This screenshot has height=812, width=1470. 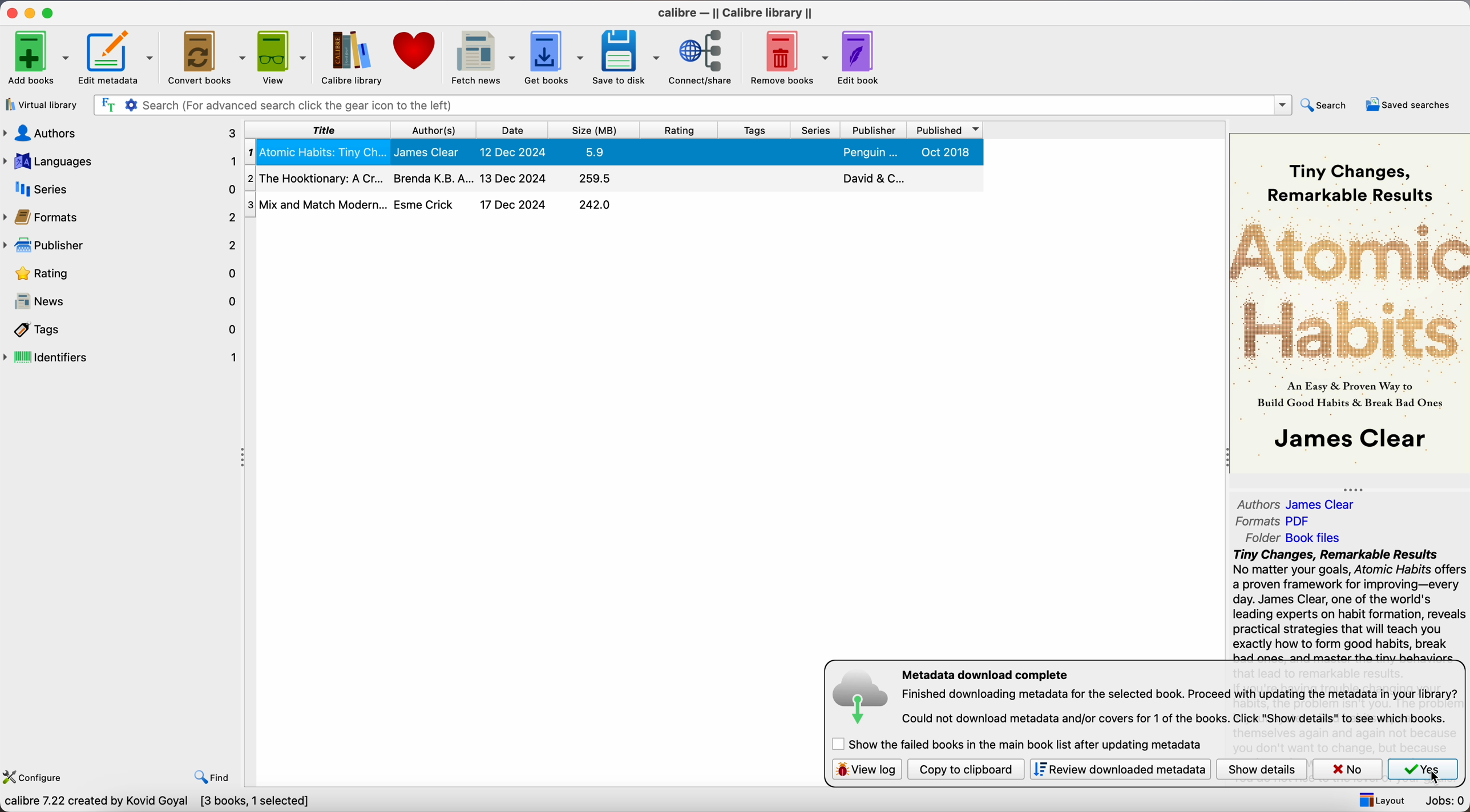 I want to click on saved searches, so click(x=1410, y=106).